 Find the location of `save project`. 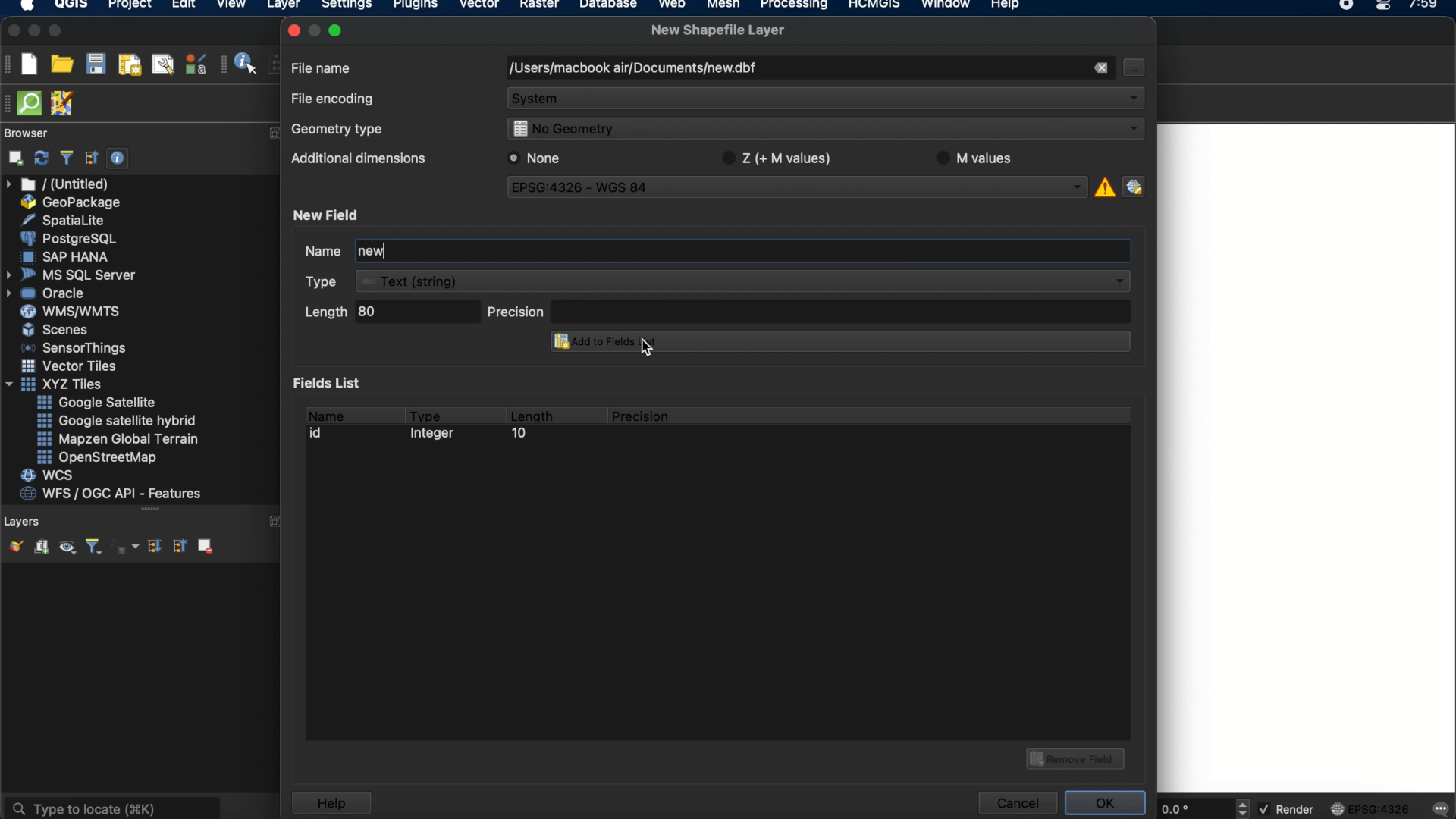

save project is located at coordinates (95, 64).